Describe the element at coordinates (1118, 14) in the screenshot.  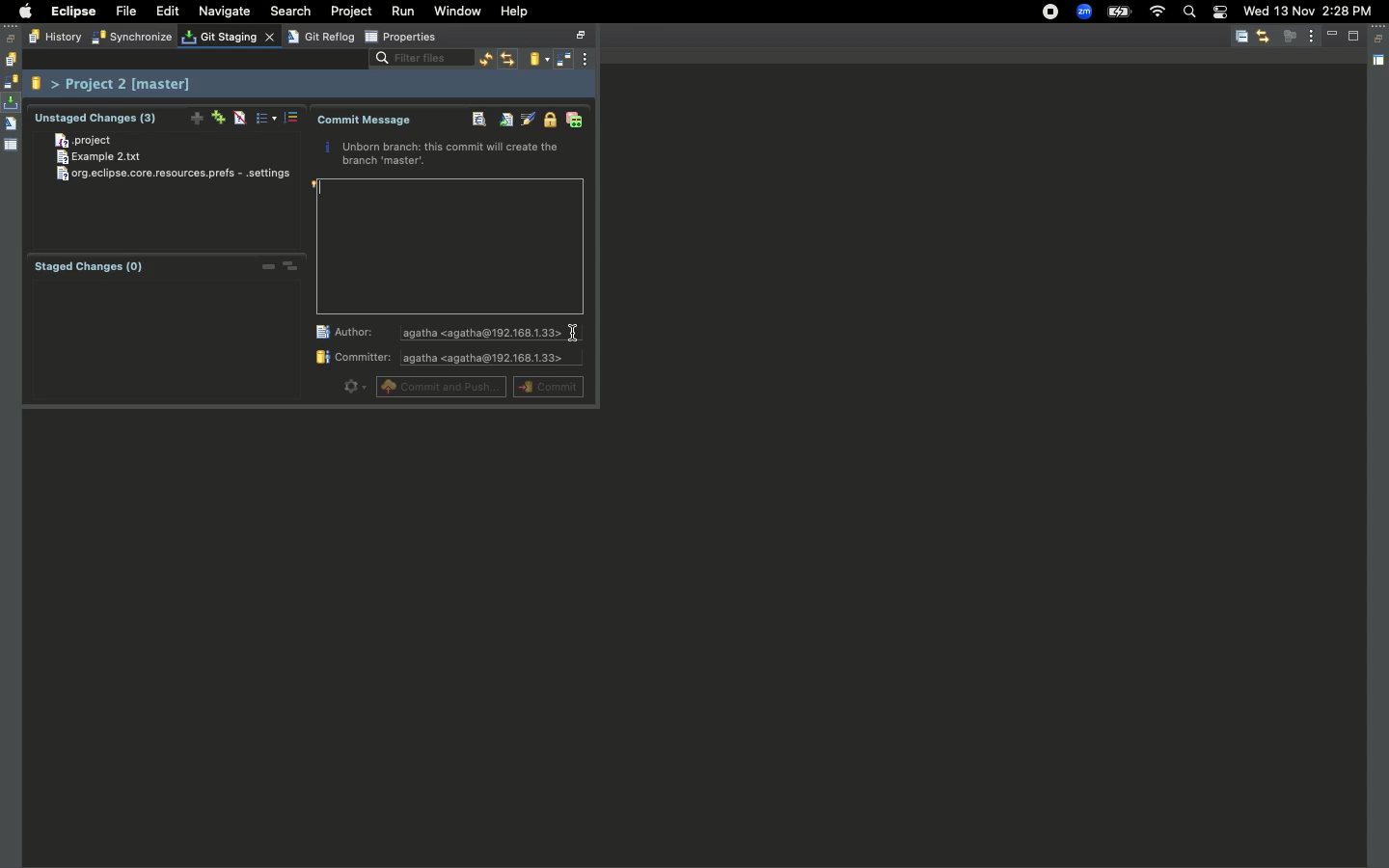
I see `Charge` at that location.